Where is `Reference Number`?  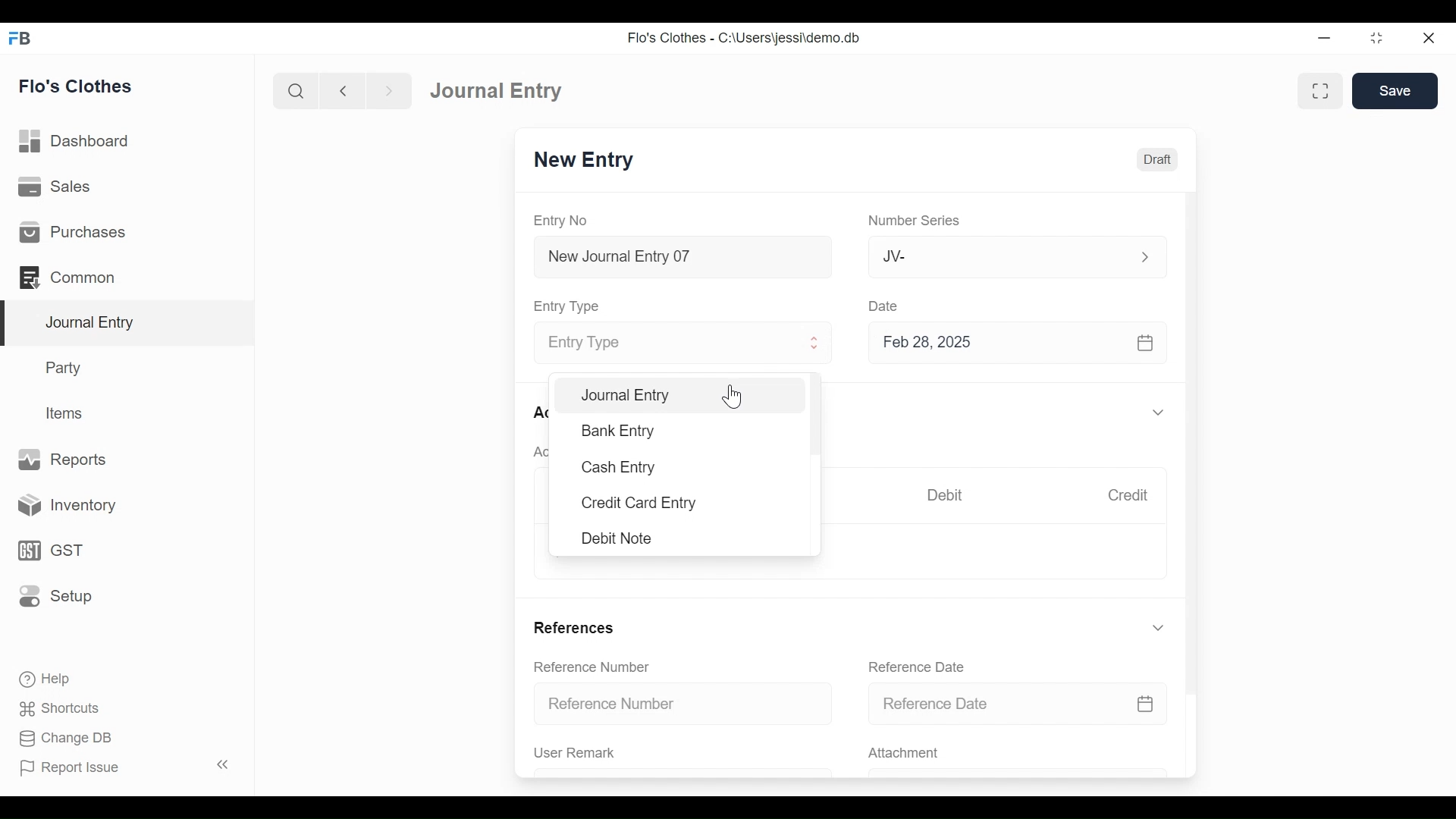 Reference Number is located at coordinates (667, 704).